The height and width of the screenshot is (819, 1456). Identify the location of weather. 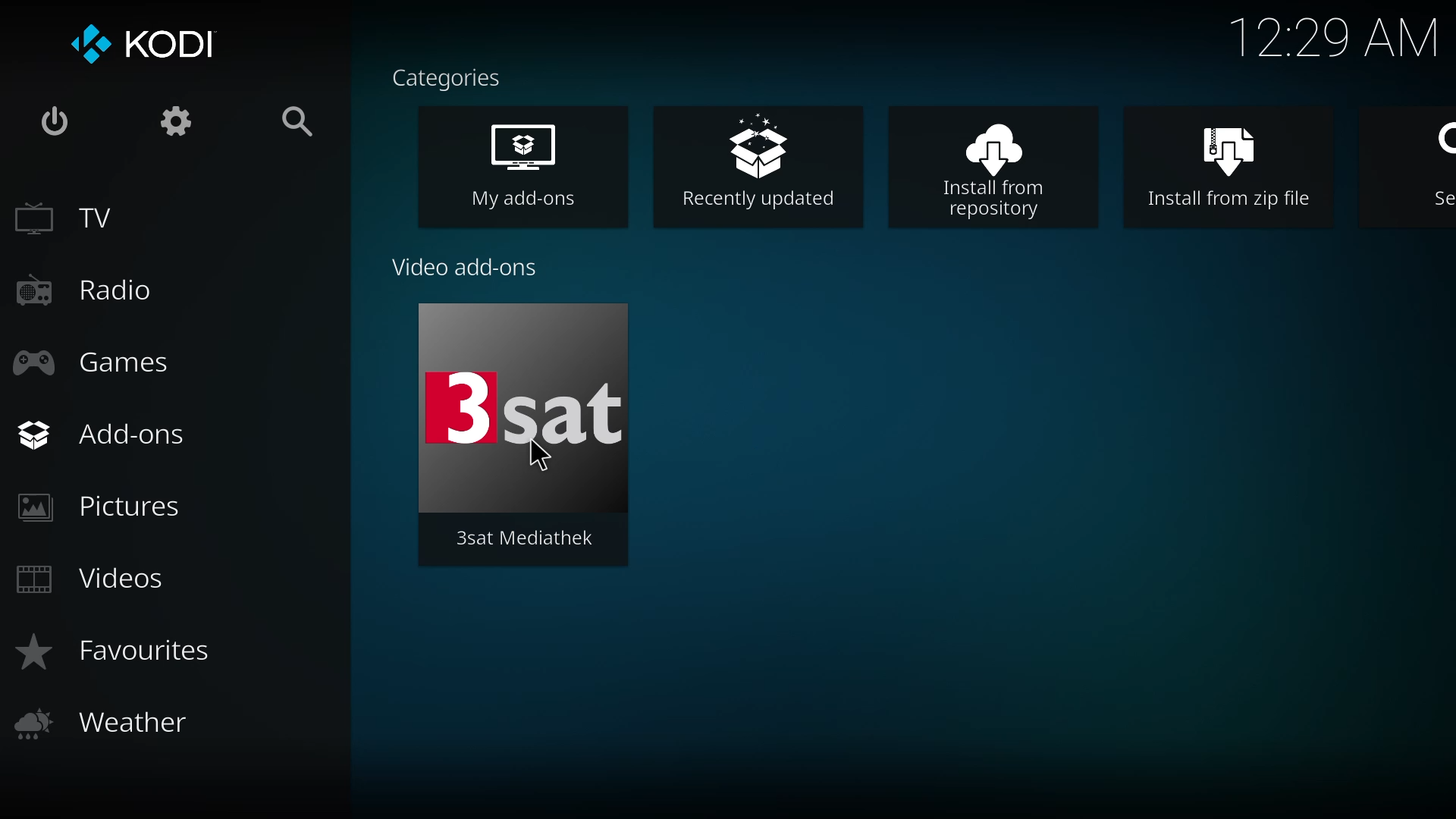
(105, 718).